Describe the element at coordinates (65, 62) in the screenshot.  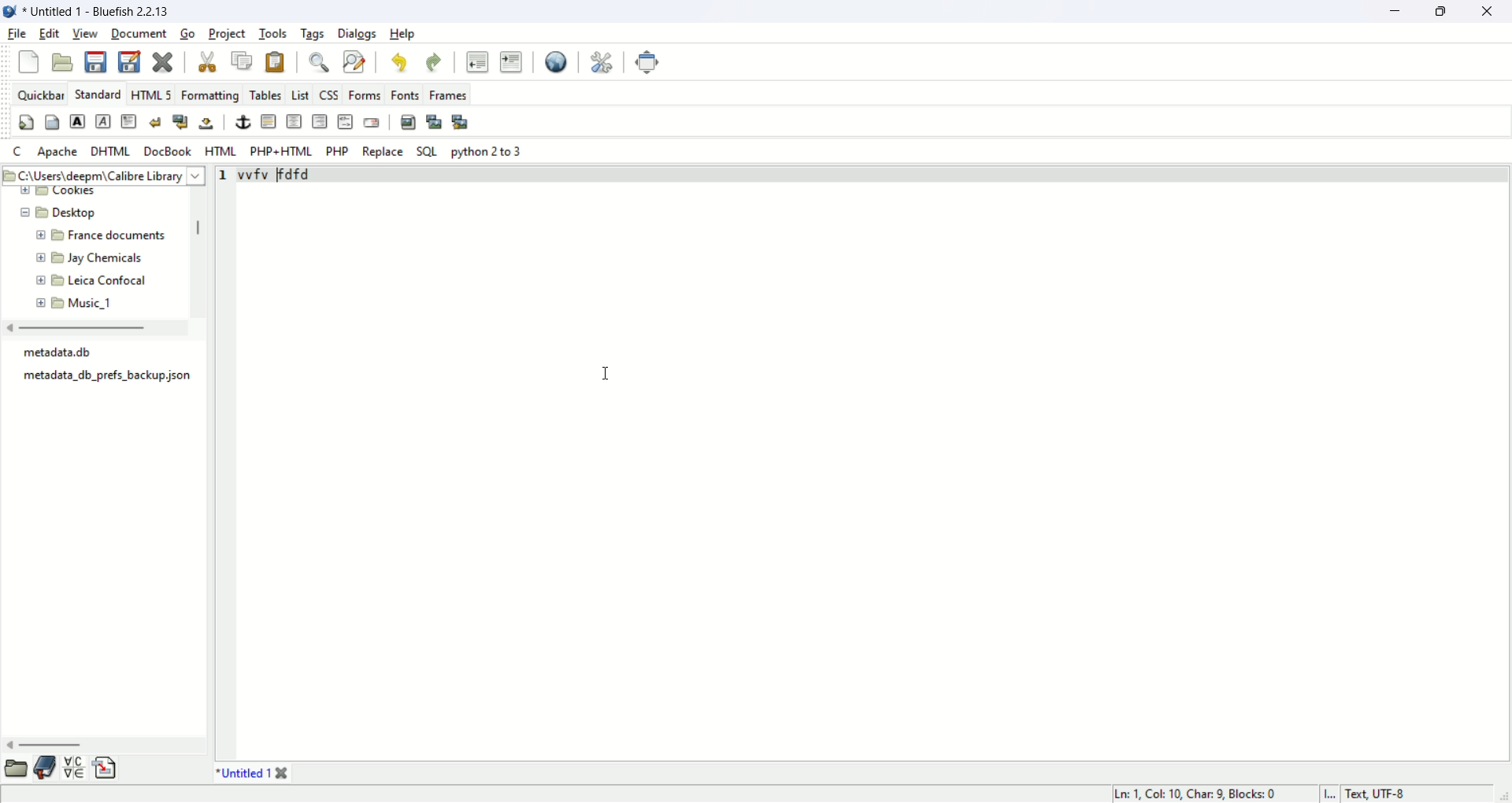
I see `open file` at that location.